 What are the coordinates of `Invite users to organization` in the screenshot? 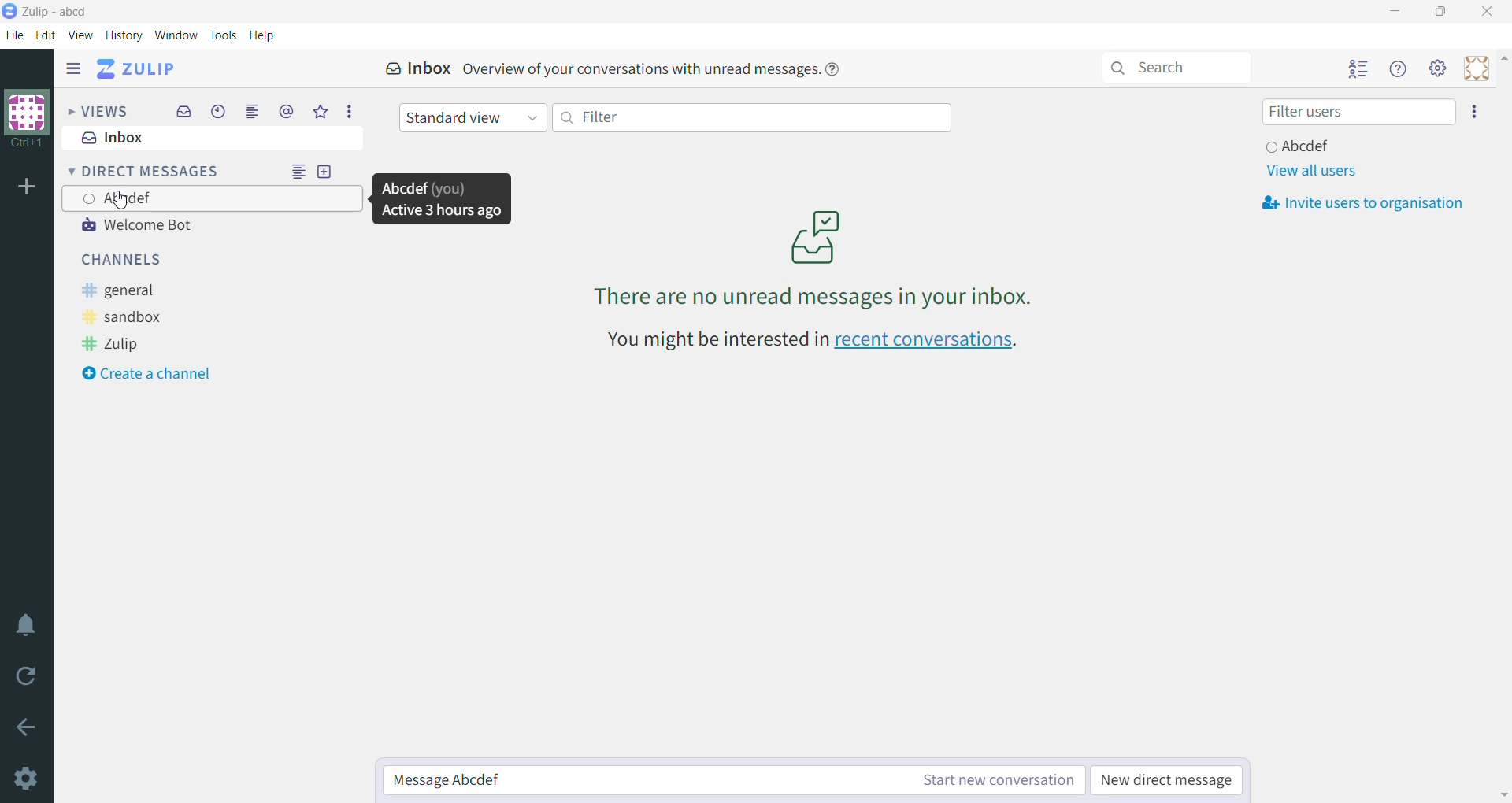 It's located at (1364, 204).